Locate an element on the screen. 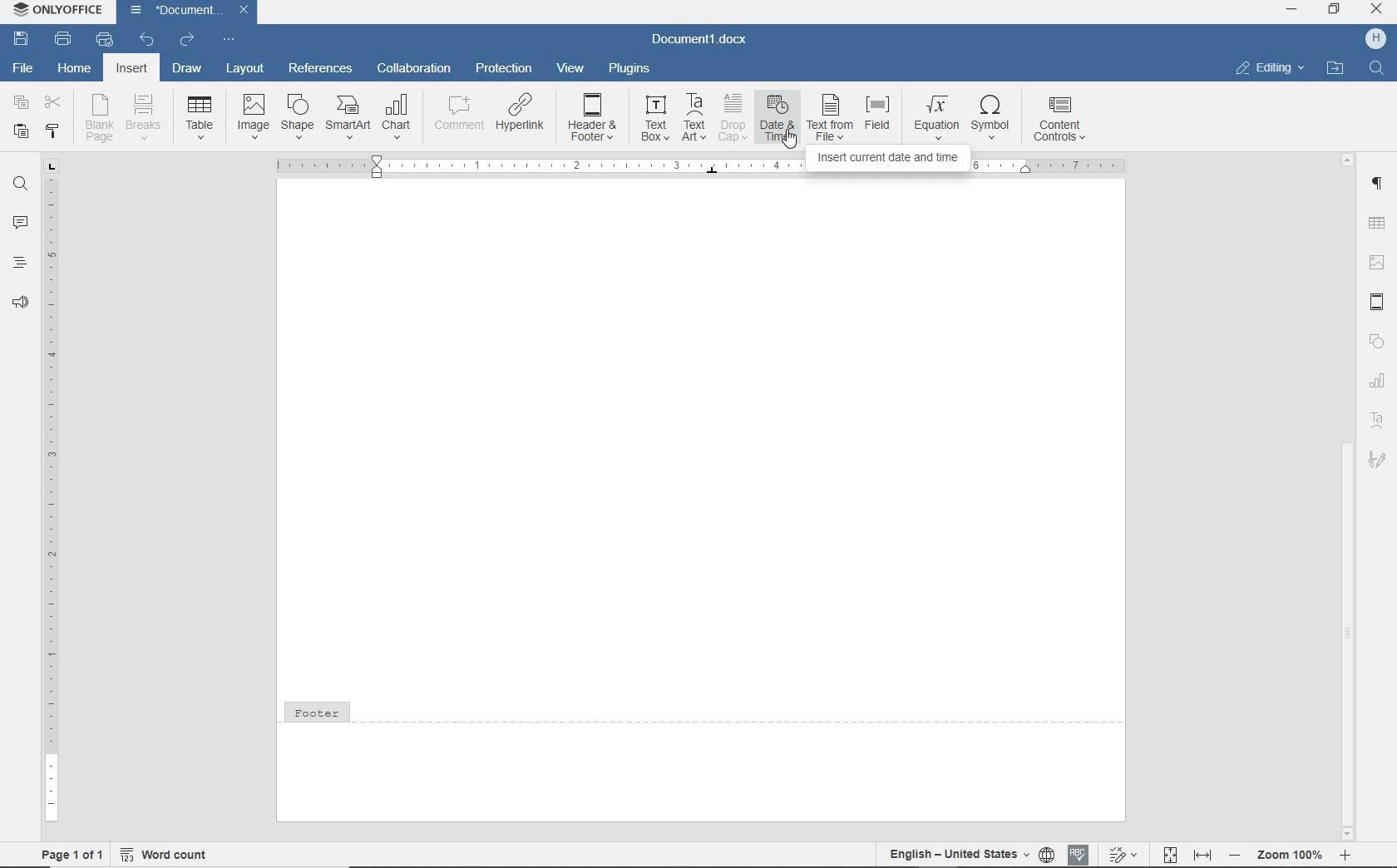  redo is located at coordinates (188, 40).